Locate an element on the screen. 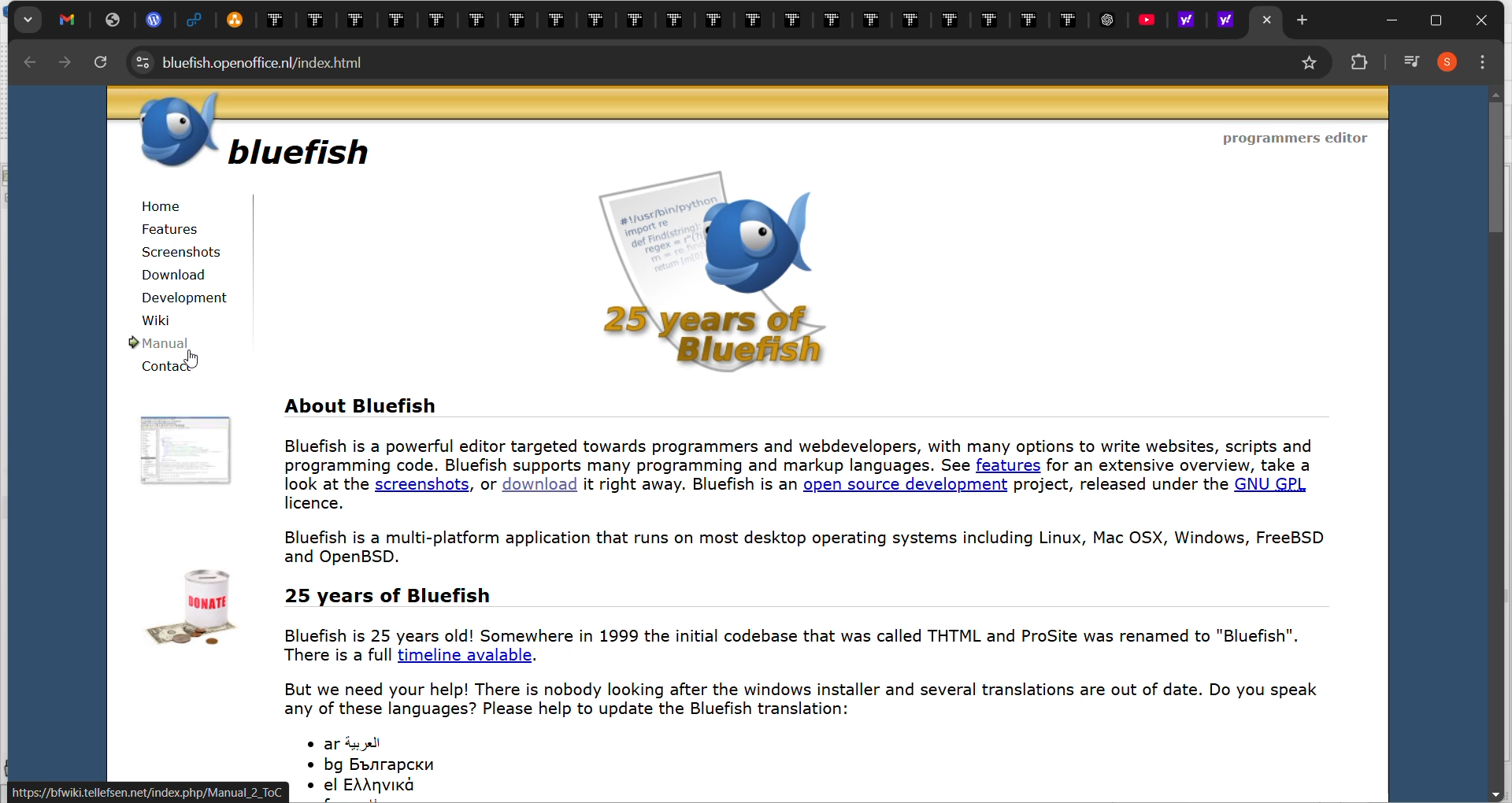 The height and width of the screenshot is (803, 1512). existing tabs is located at coordinates (641, 22).